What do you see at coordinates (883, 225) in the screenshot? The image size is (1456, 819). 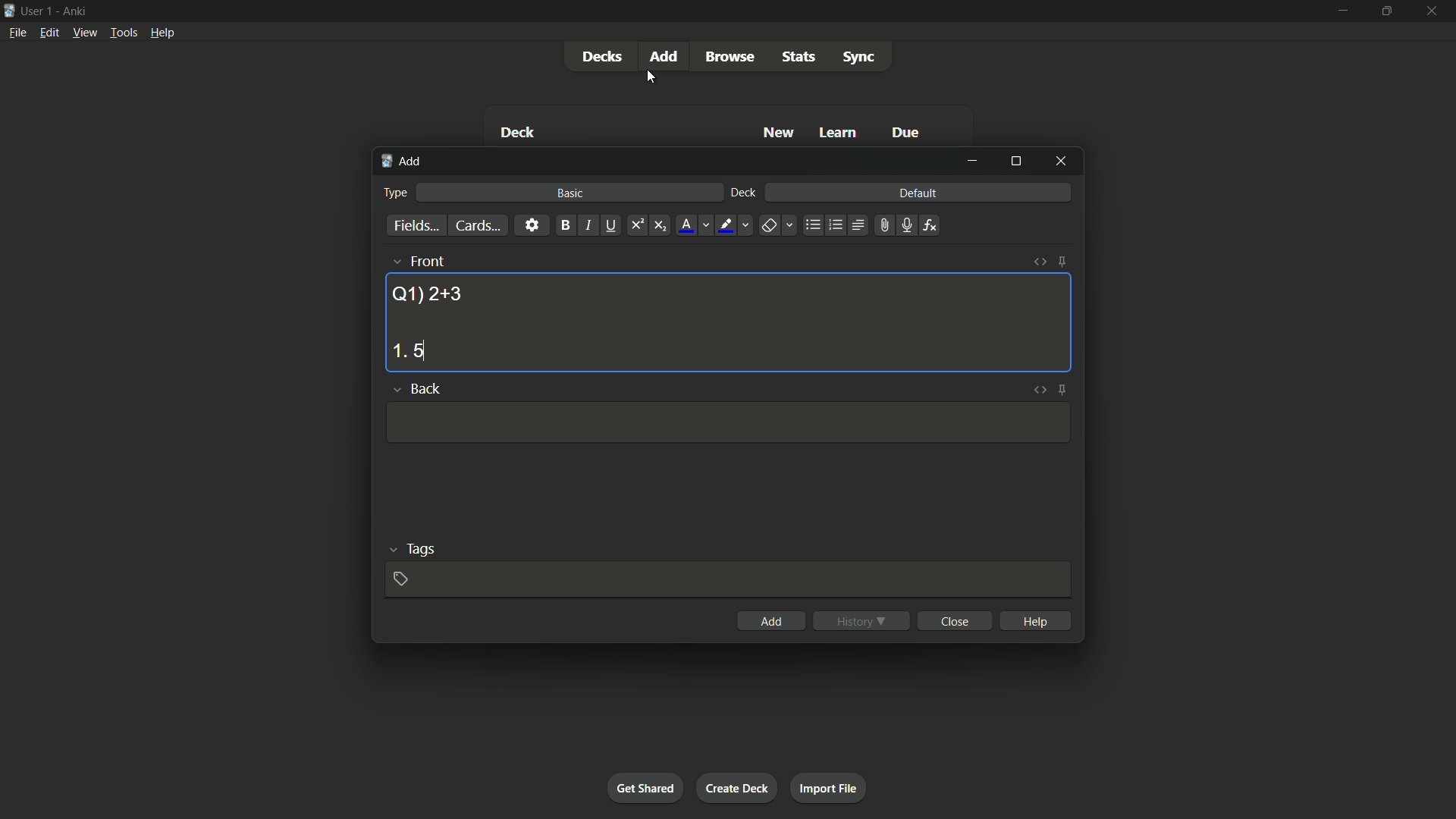 I see `attach file` at bounding box center [883, 225].